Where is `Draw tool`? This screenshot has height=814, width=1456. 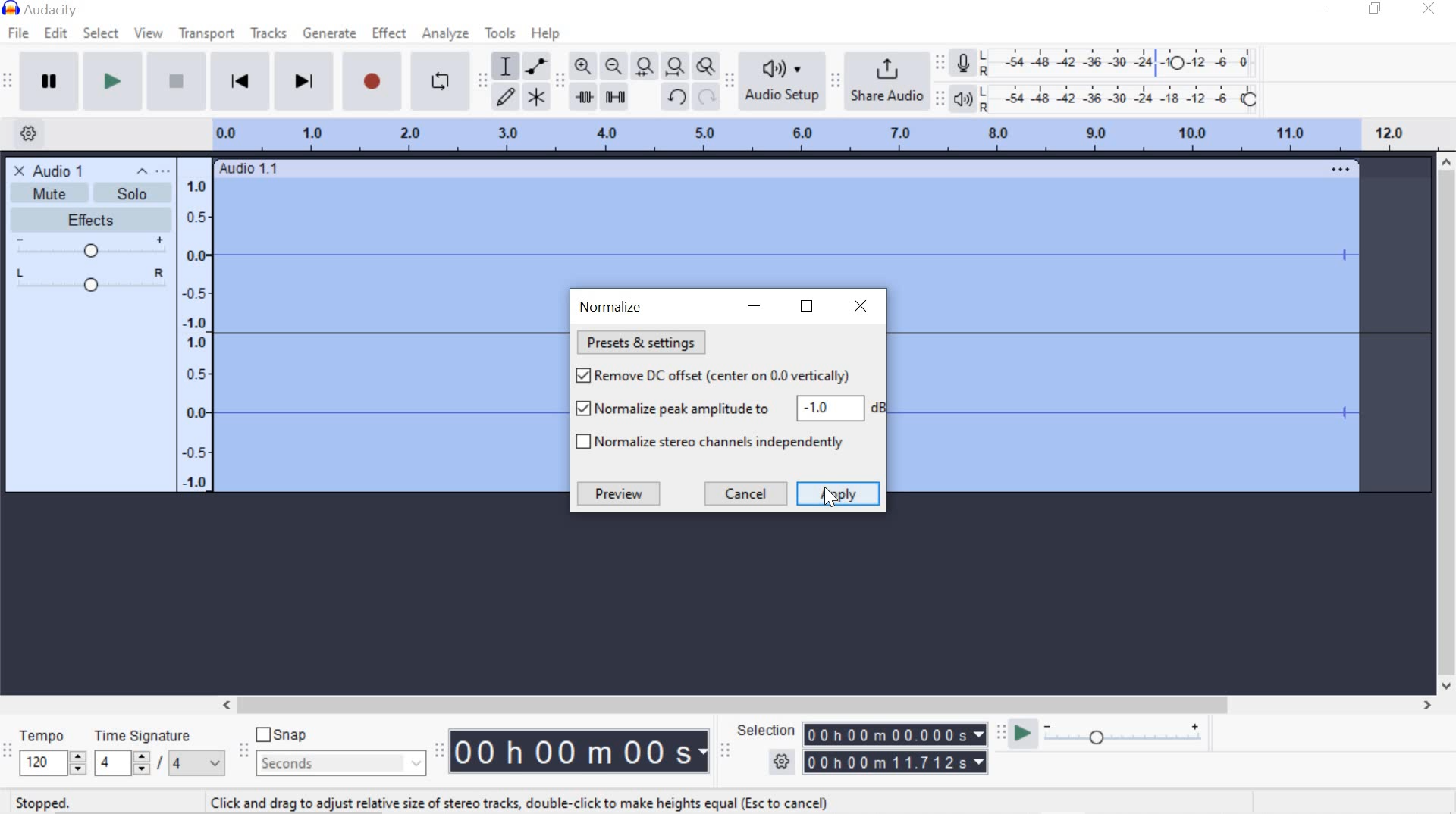 Draw tool is located at coordinates (505, 95).